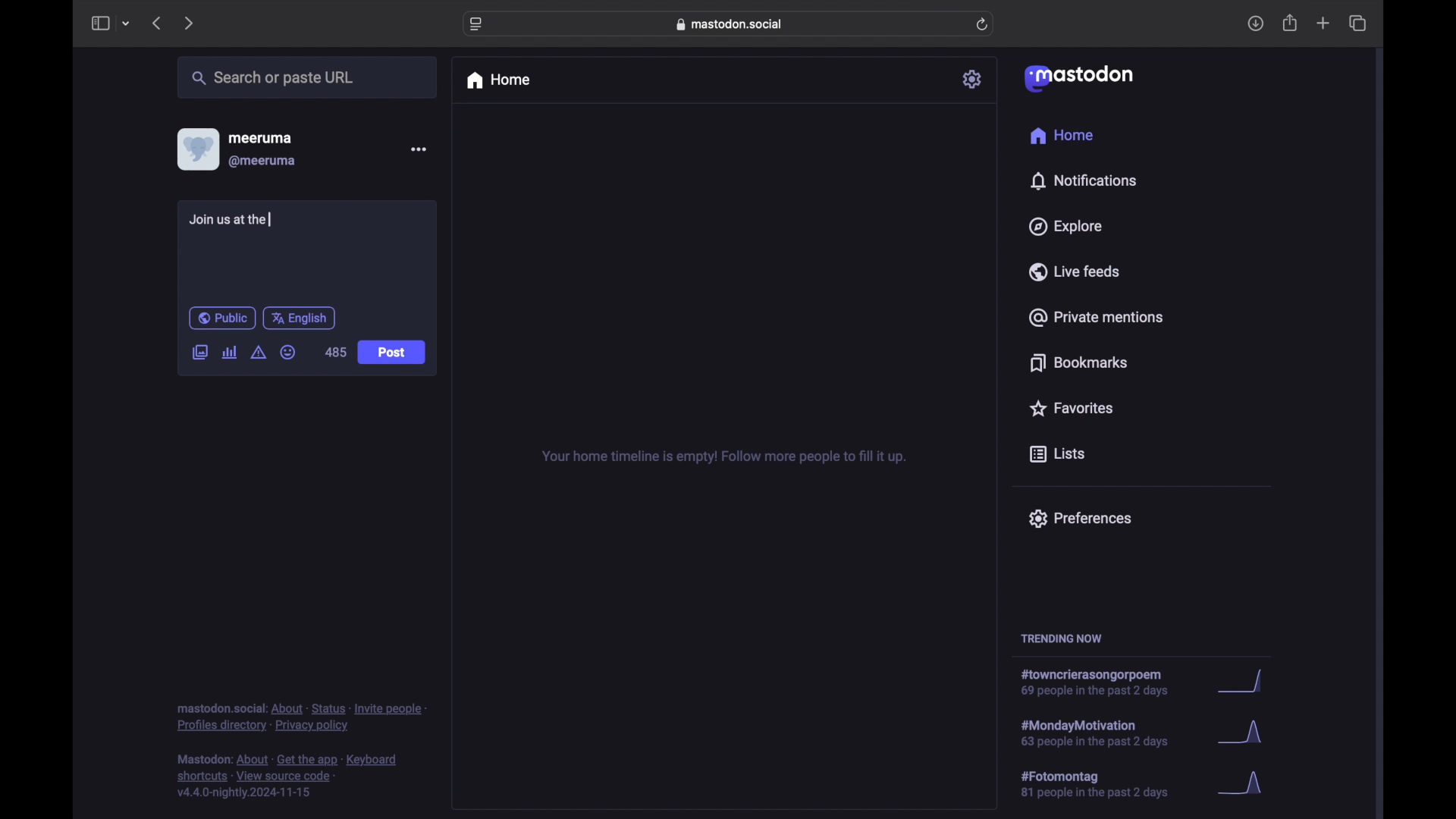 This screenshot has height=819, width=1456. I want to click on hashtag trend, so click(1103, 683).